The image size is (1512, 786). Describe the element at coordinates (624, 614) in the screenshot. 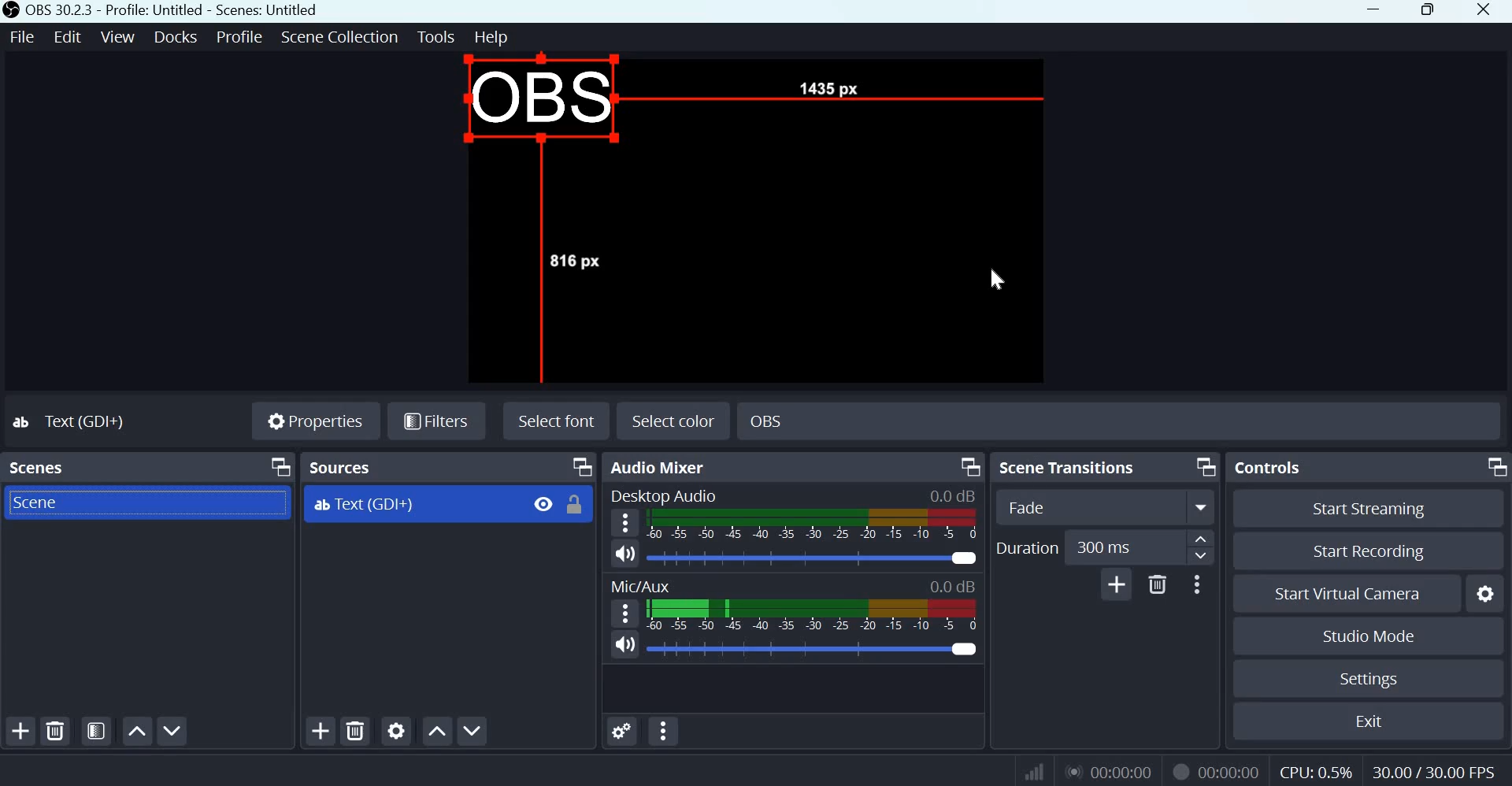

I see `hamburger menu` at that location.